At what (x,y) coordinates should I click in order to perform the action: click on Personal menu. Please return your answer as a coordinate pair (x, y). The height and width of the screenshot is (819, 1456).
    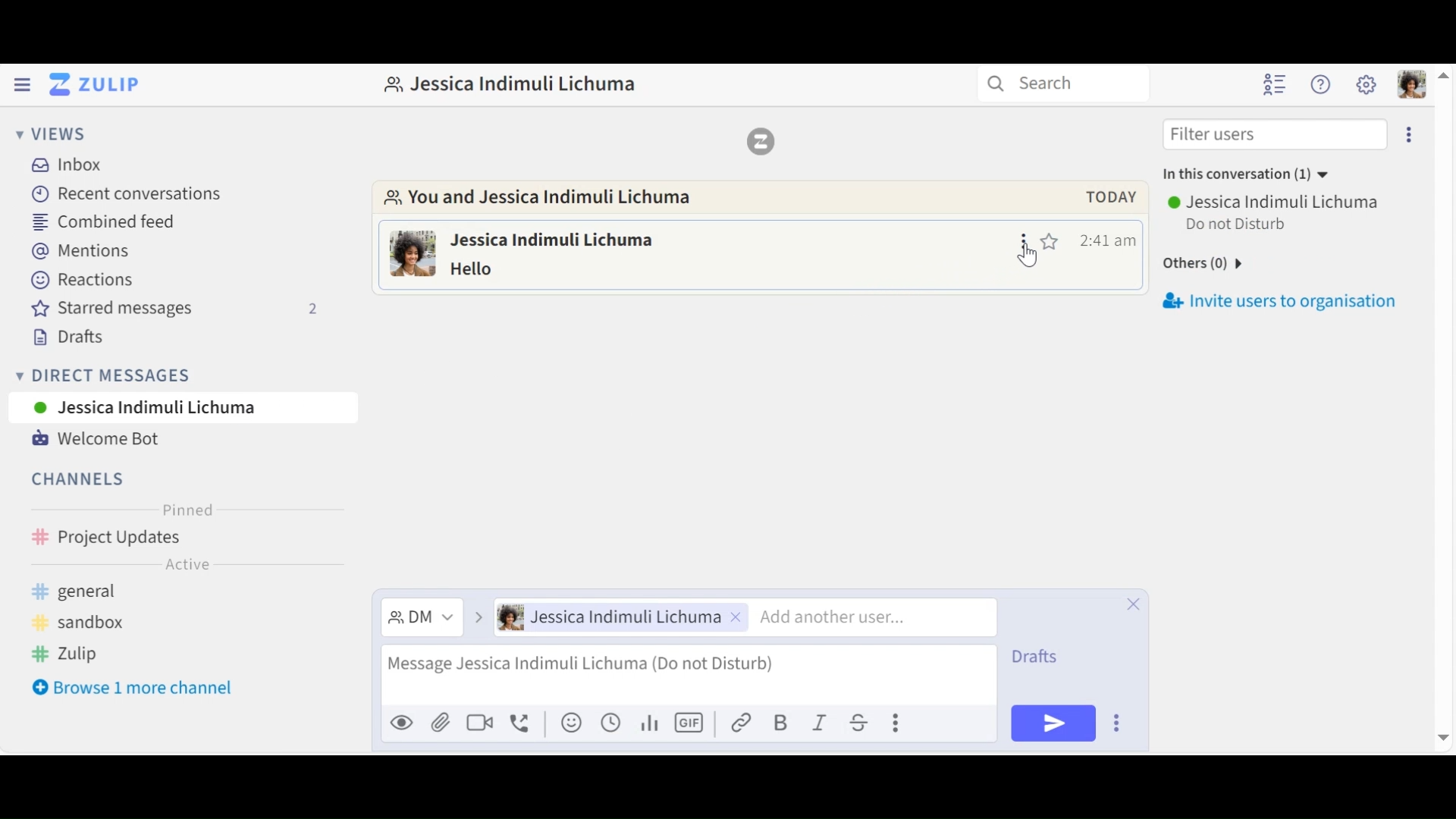
    Looking at the image, I should click on (1412, 84).